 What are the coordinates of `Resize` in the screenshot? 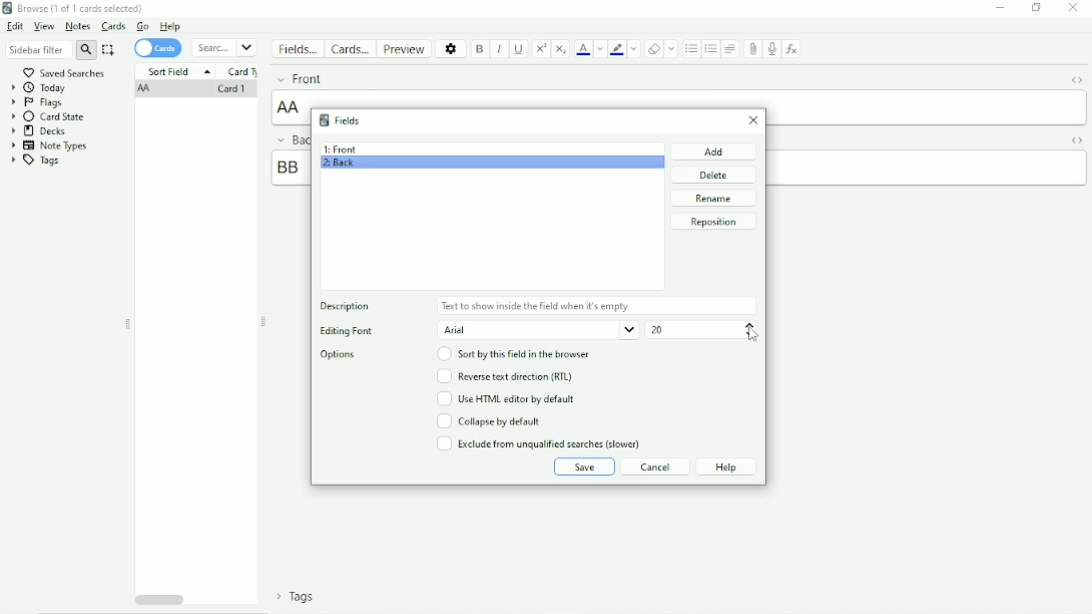 It's located at (128, 324).